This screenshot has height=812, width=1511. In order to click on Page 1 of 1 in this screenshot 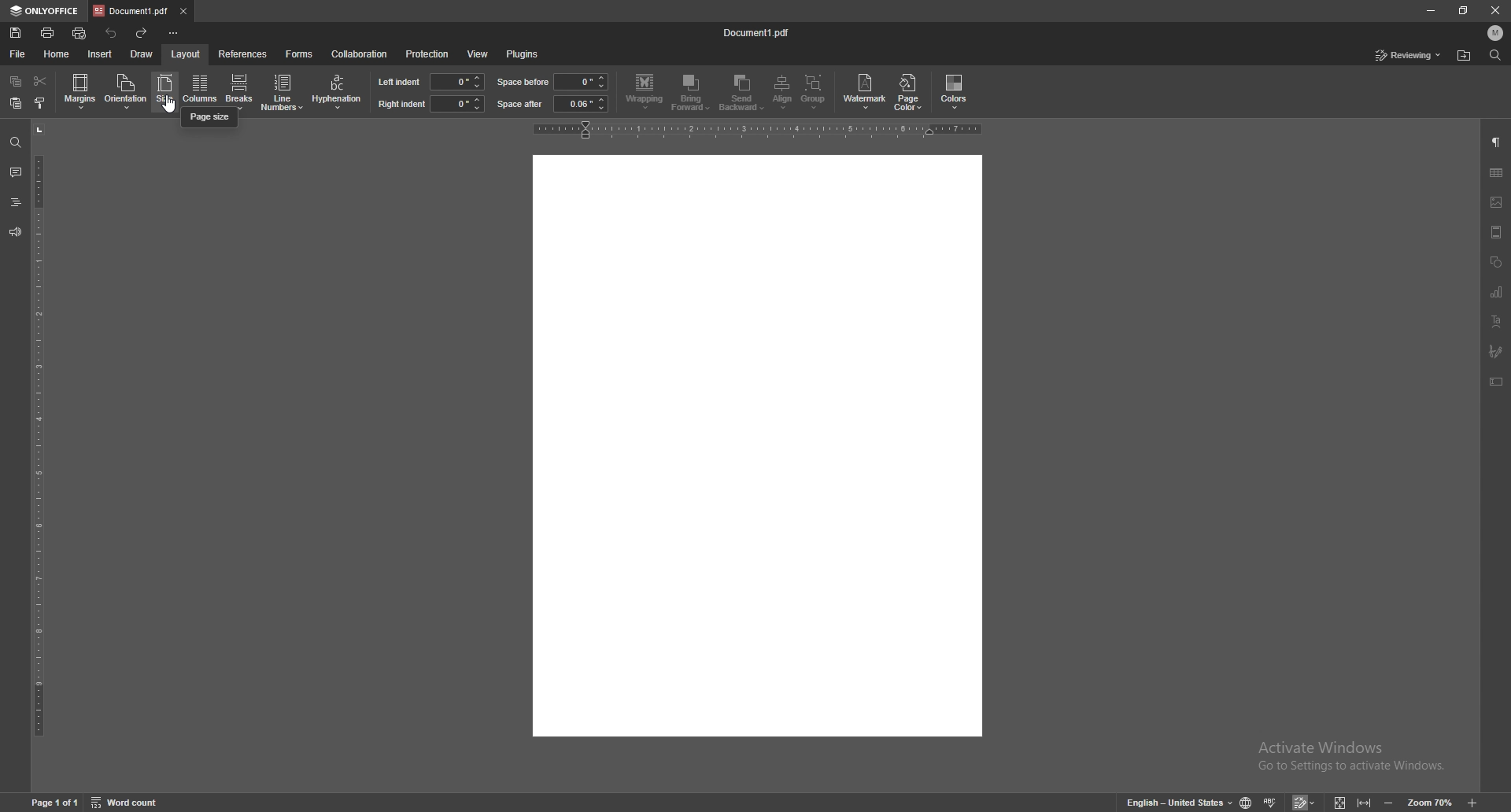, I will do `click(51, 803)`.